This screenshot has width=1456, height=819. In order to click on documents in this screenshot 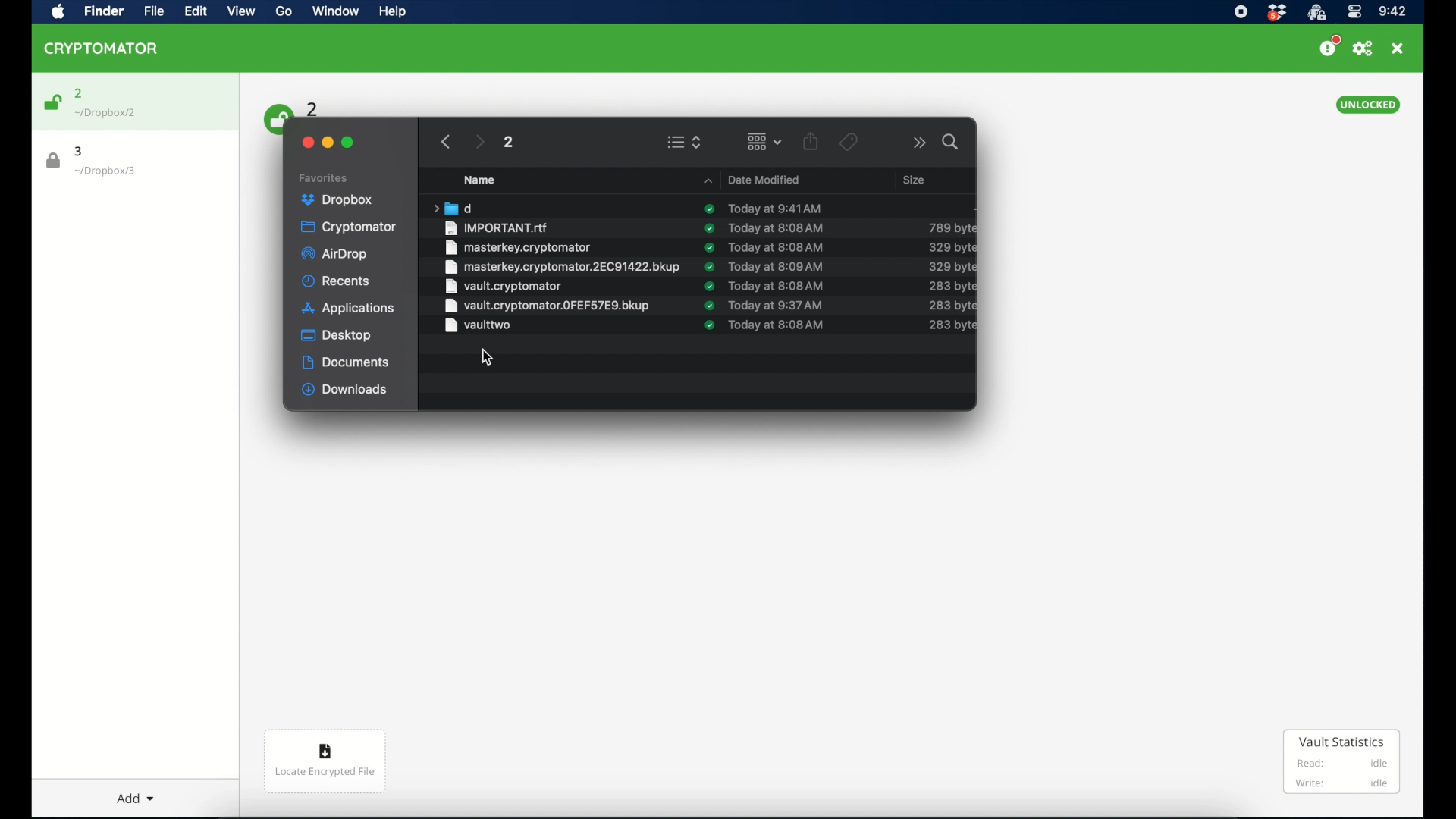, I will do `click(346, 362)`.